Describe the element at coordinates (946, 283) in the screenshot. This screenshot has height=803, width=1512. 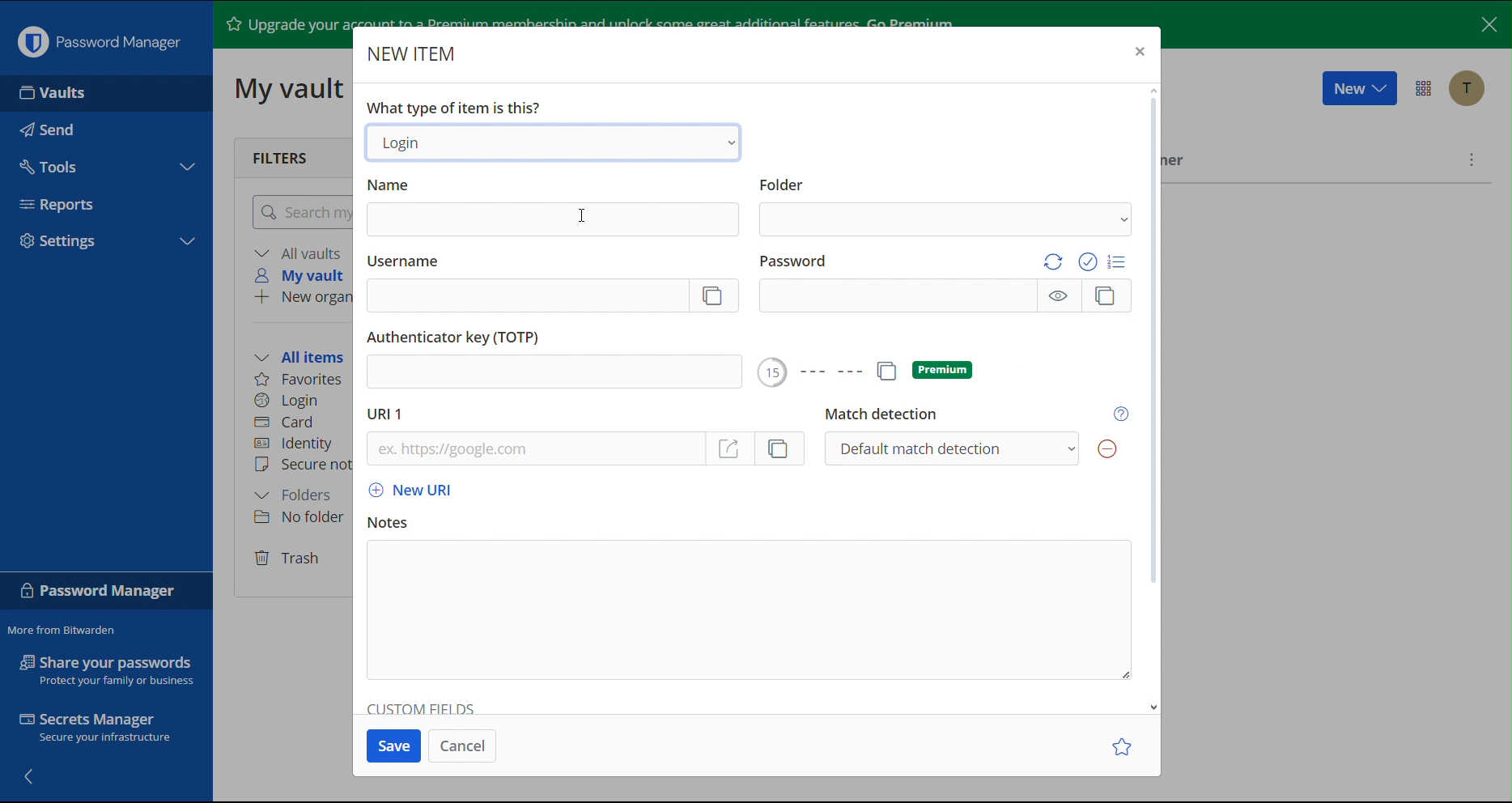
I see `Password` at that location.